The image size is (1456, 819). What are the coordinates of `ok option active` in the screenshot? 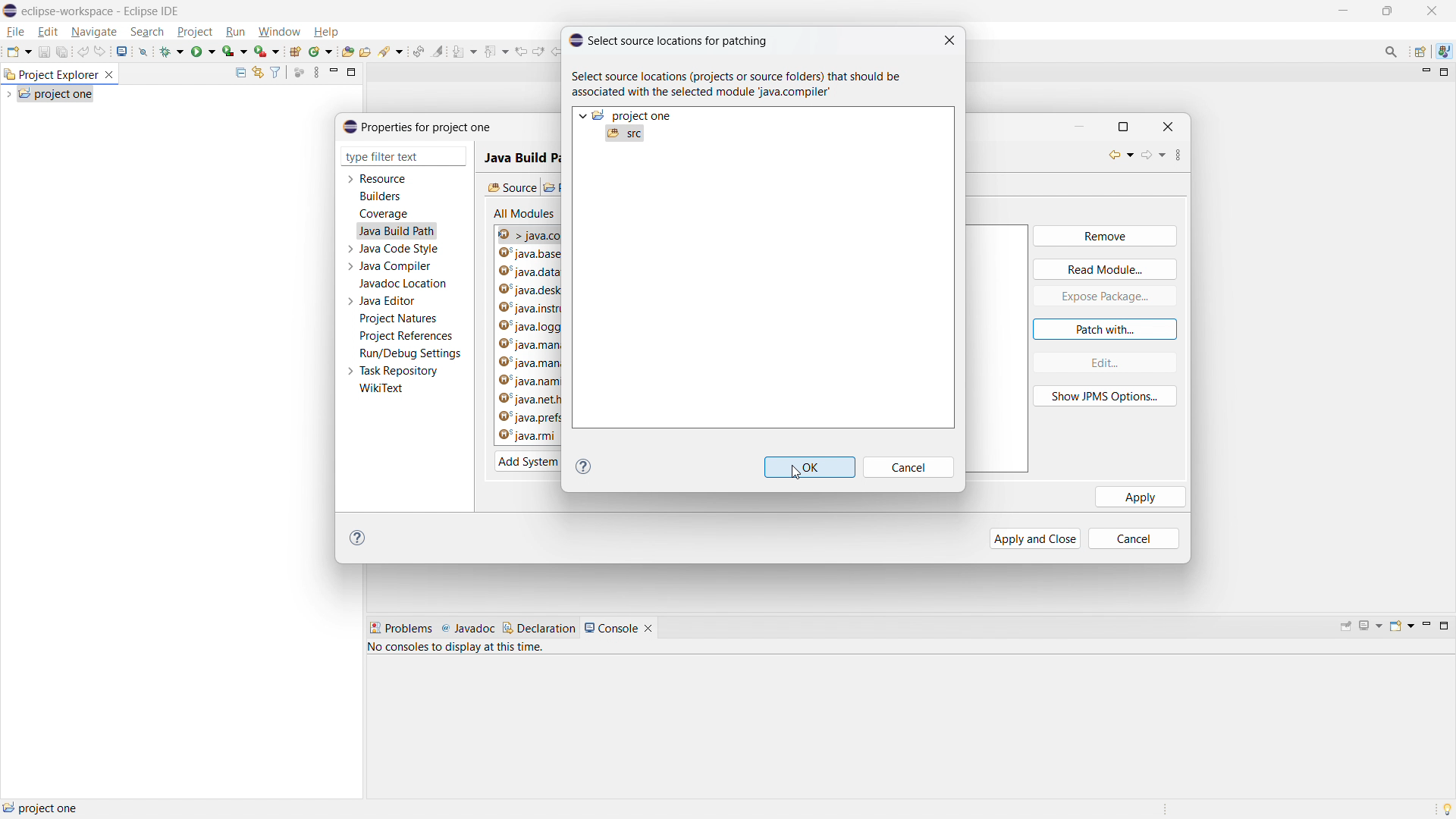 It's located at (810, 466).